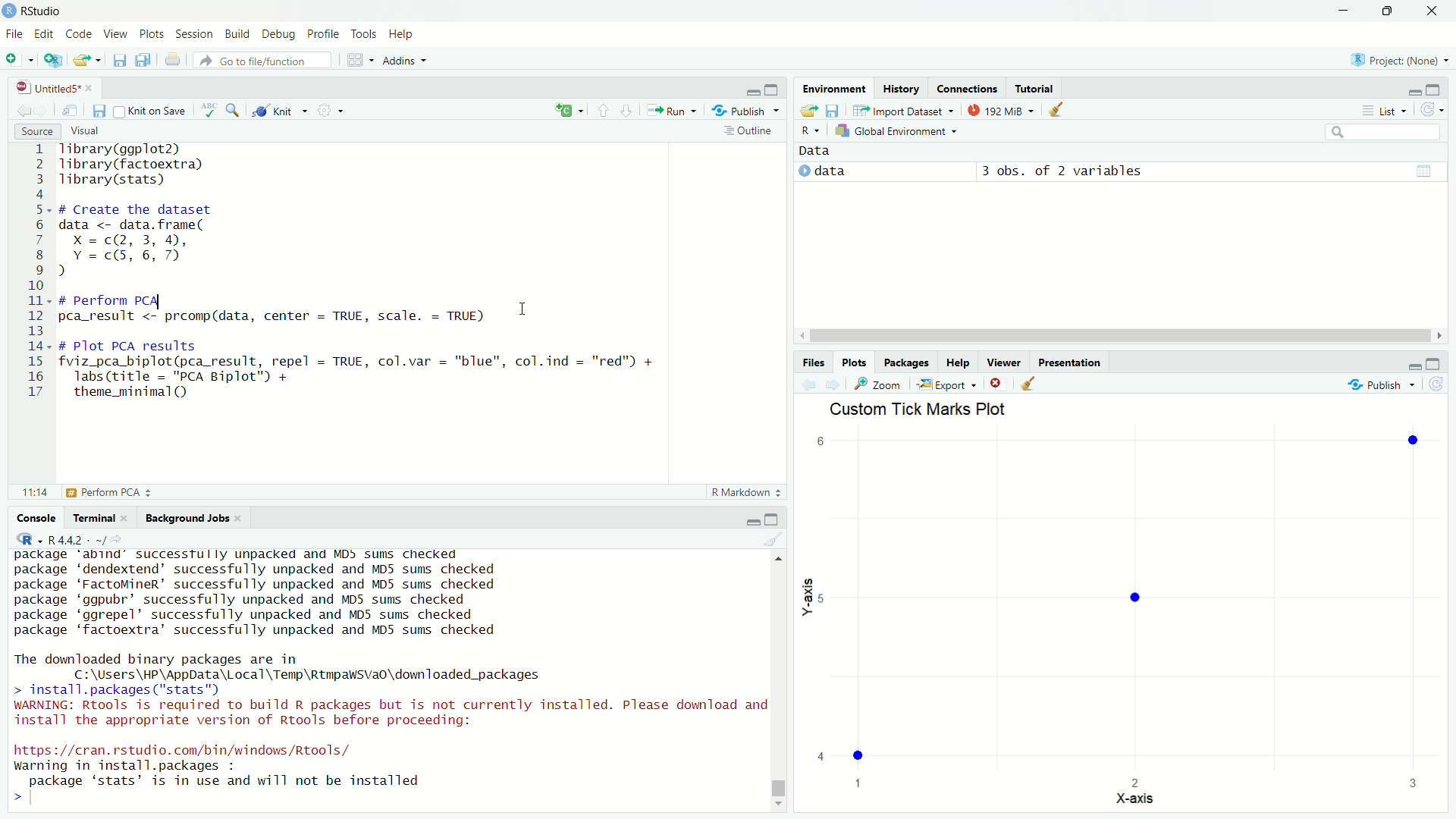  What do you see at coordinates (780, 789) in the screenshot?
I see `vertical scrollbar` at bounding box center [780, 789].